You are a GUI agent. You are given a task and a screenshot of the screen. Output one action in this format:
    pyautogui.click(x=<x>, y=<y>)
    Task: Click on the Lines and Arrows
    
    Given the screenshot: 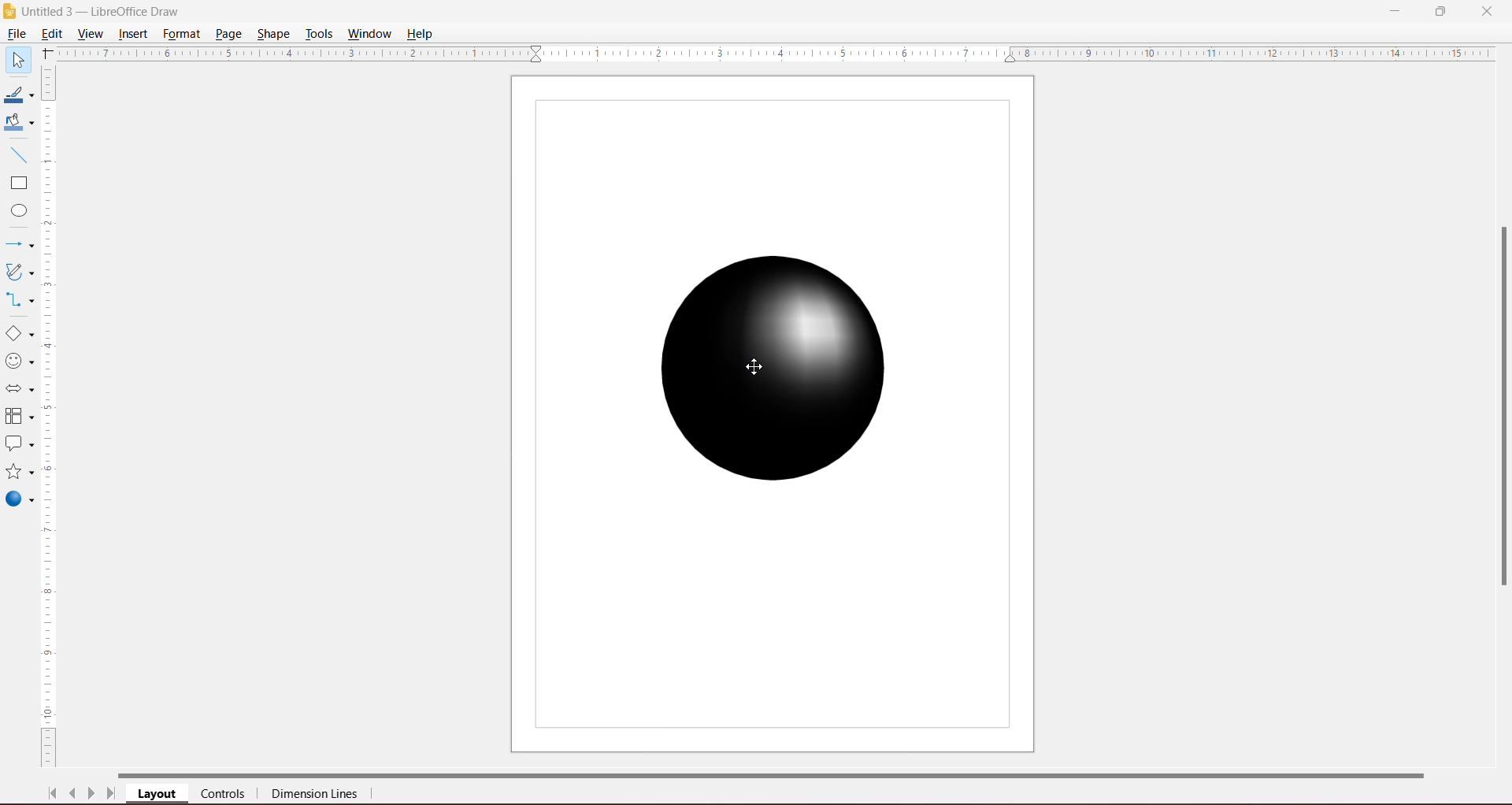 What is the action you would take?
    pyautogui.click(x=18, y=246)
    